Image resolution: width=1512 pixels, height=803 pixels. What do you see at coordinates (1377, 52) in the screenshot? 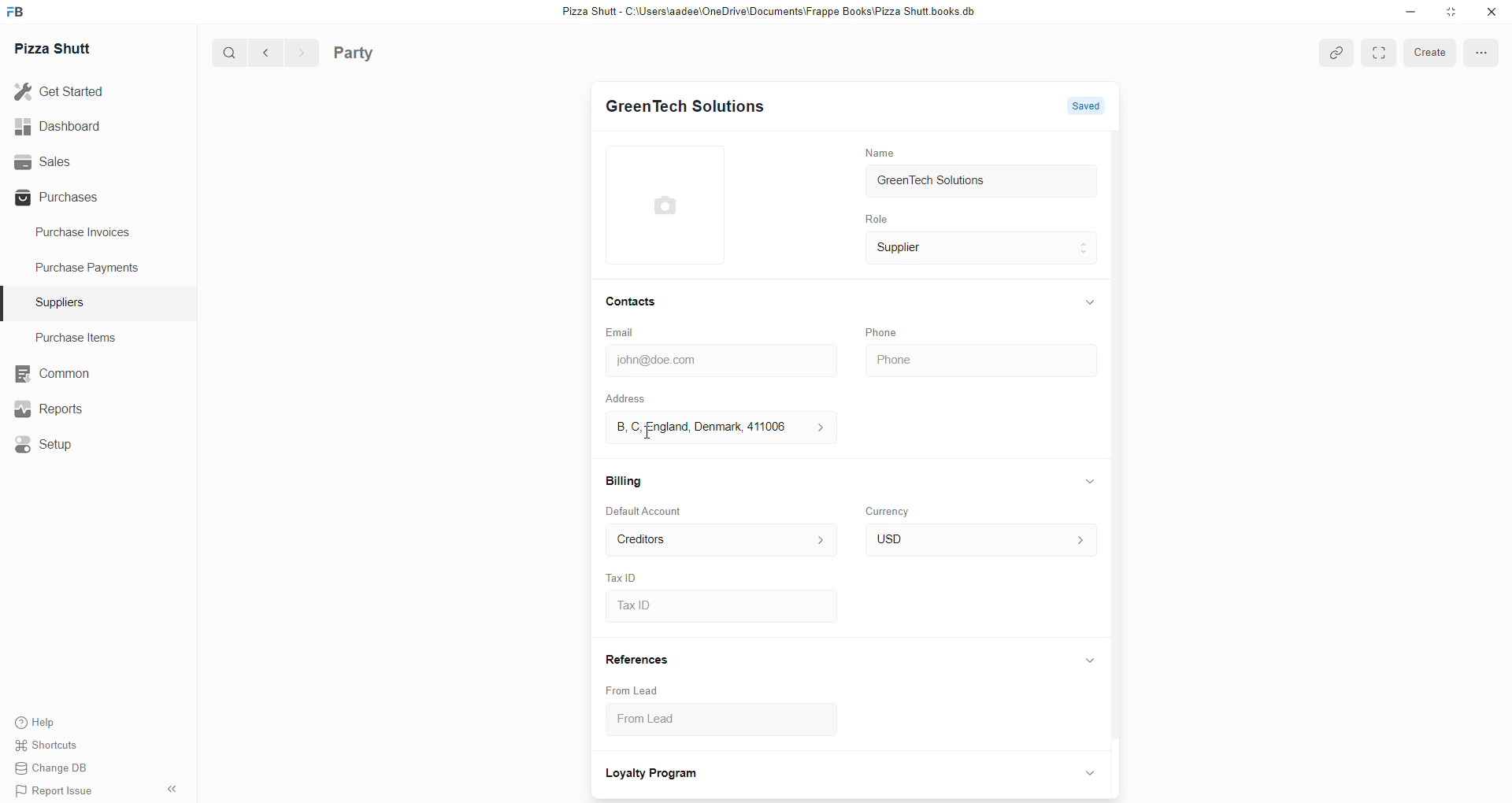
I see `options` at bounding box center [1377, 52].